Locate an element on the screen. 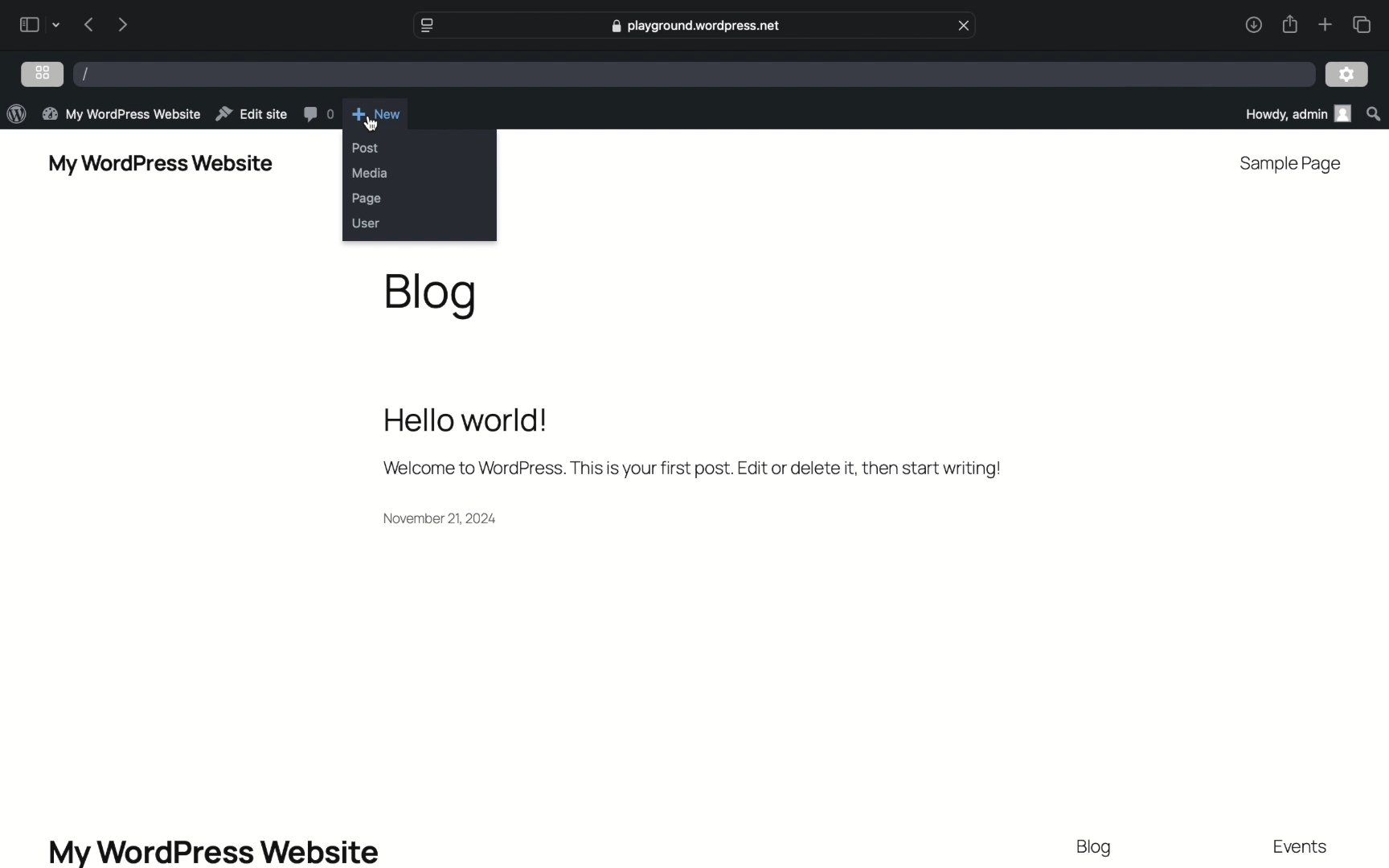 This screenshot has width=1389, height=868. cursor is located at coordinates (372, 124).